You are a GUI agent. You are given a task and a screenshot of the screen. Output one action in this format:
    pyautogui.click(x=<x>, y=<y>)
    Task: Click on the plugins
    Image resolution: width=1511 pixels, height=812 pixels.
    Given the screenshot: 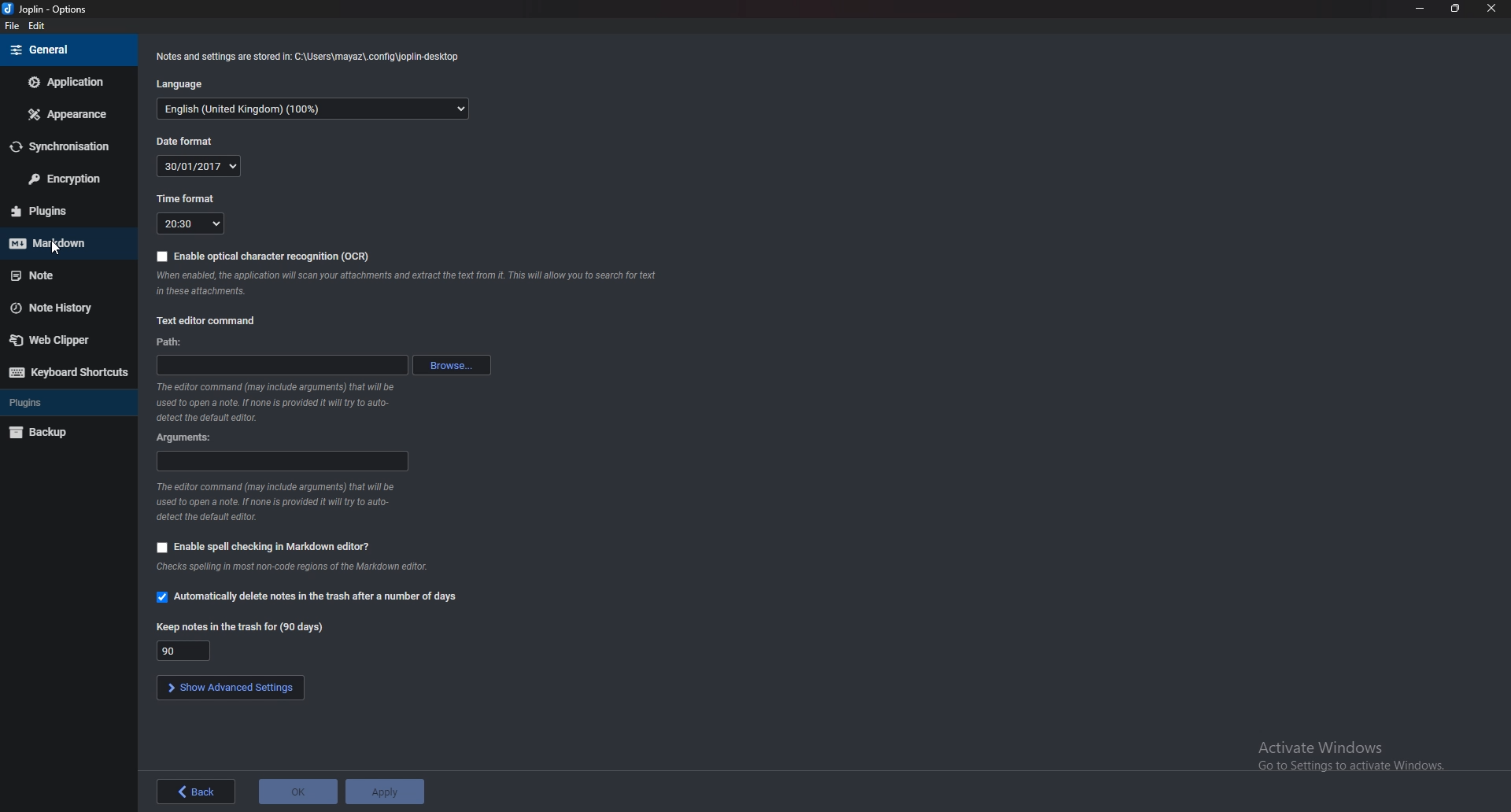 What is the action you would take?
    pyautogui.click(x=68, y=401)
    